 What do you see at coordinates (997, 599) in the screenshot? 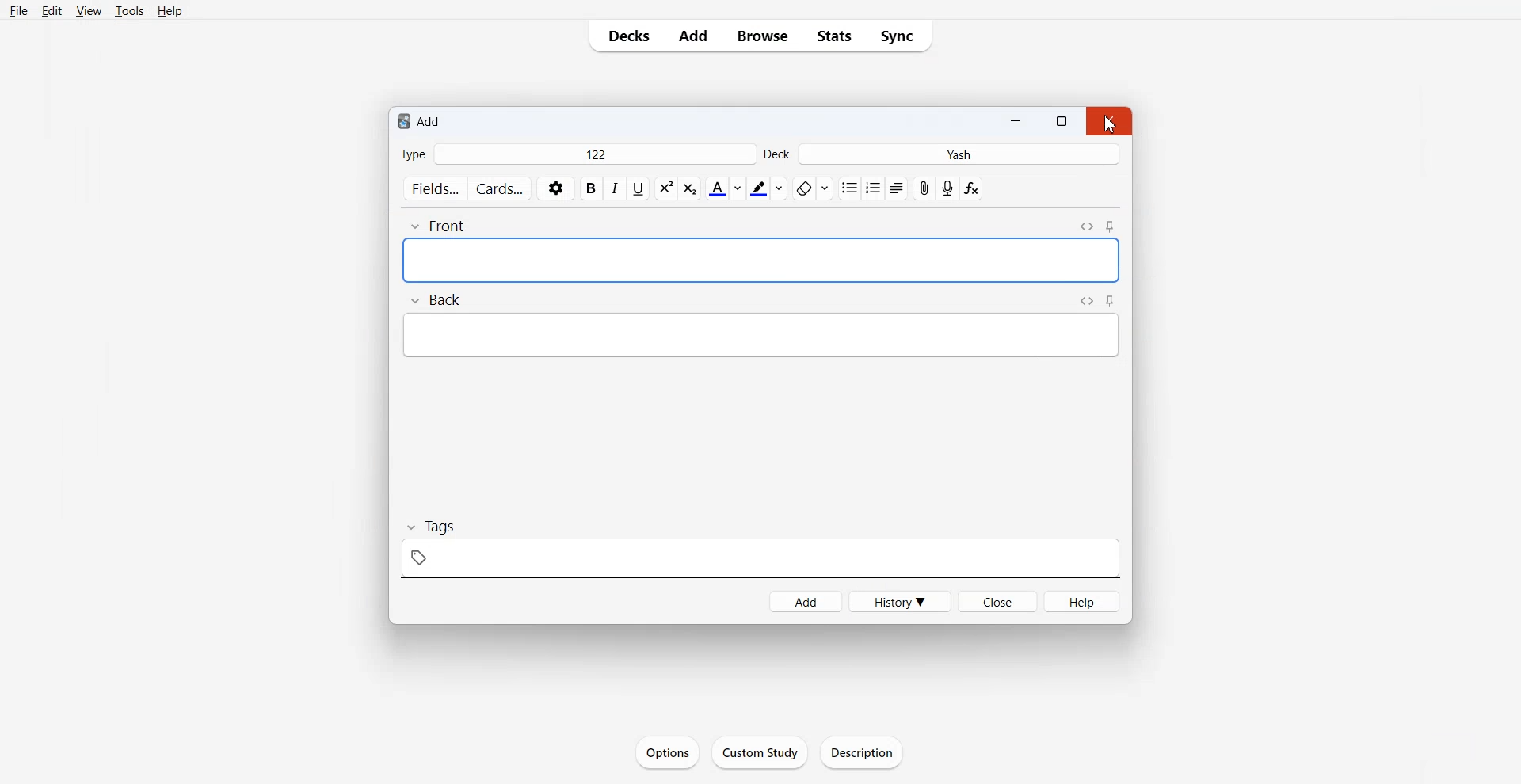
I see `Close` at bounding box center [997, 599].